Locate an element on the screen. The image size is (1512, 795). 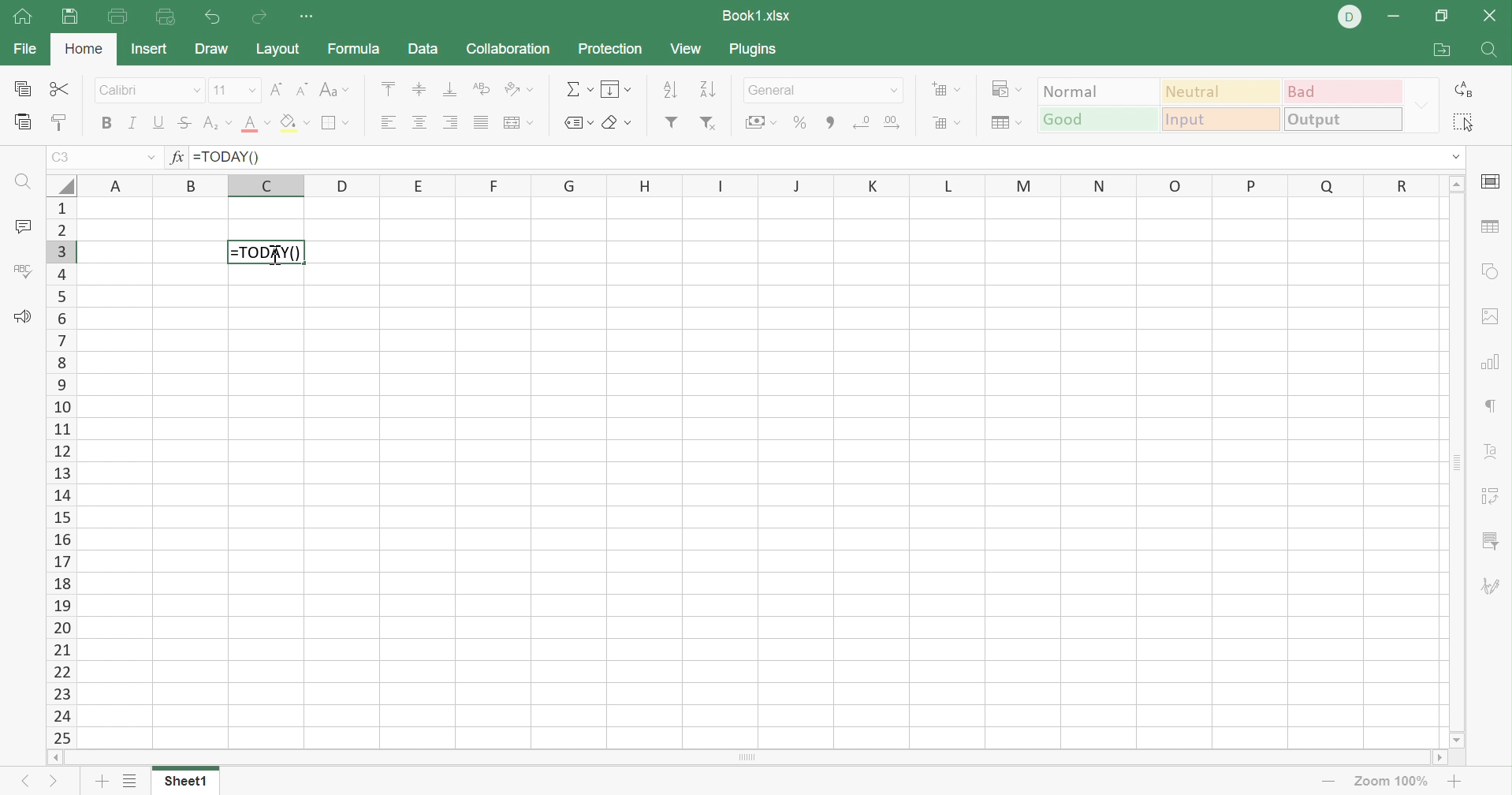
11 is located at coordinates (218, 90).